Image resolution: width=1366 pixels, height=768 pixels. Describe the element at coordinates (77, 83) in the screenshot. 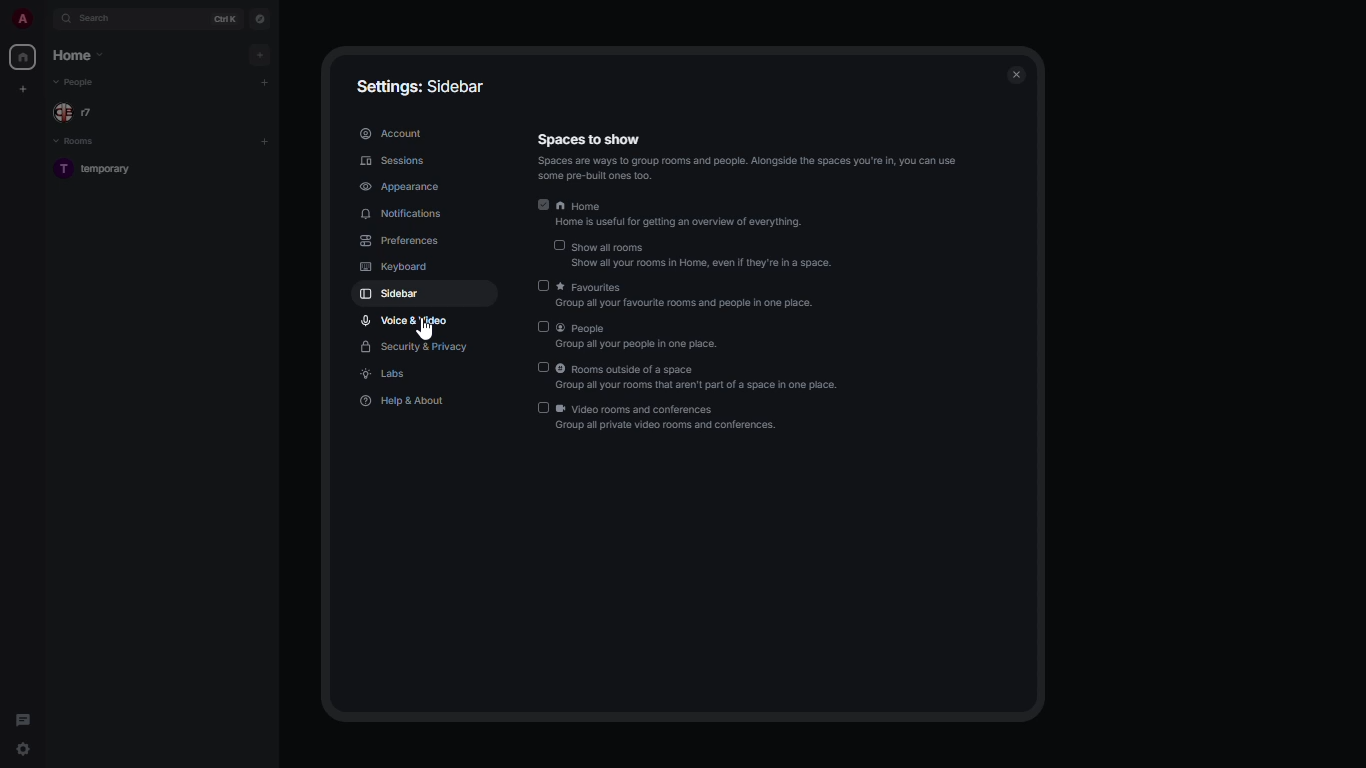

I see `people` at that location.